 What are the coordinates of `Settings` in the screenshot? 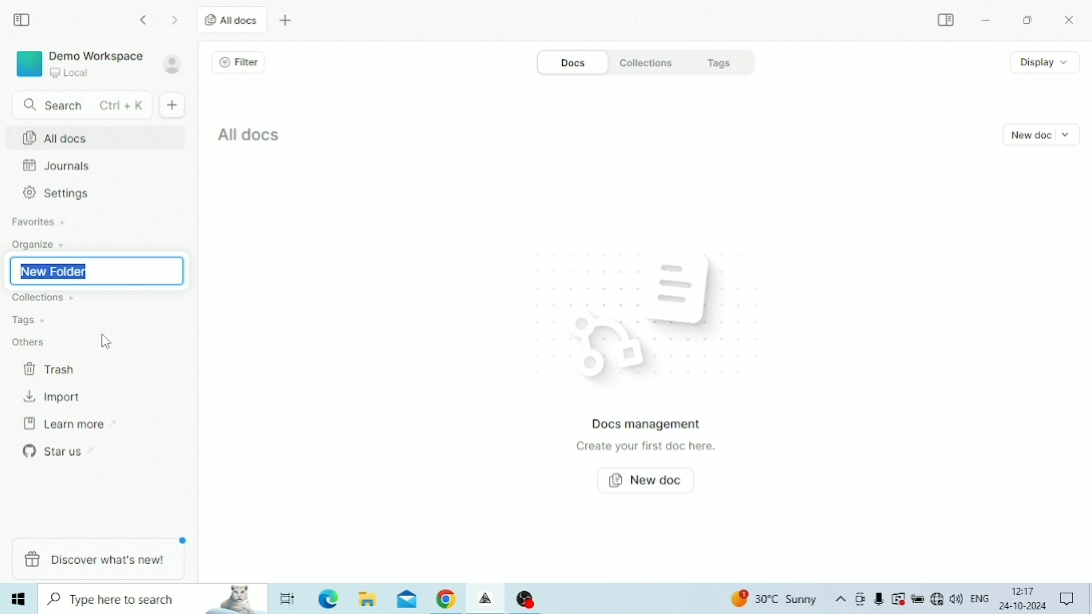 It's located at (61, 193).